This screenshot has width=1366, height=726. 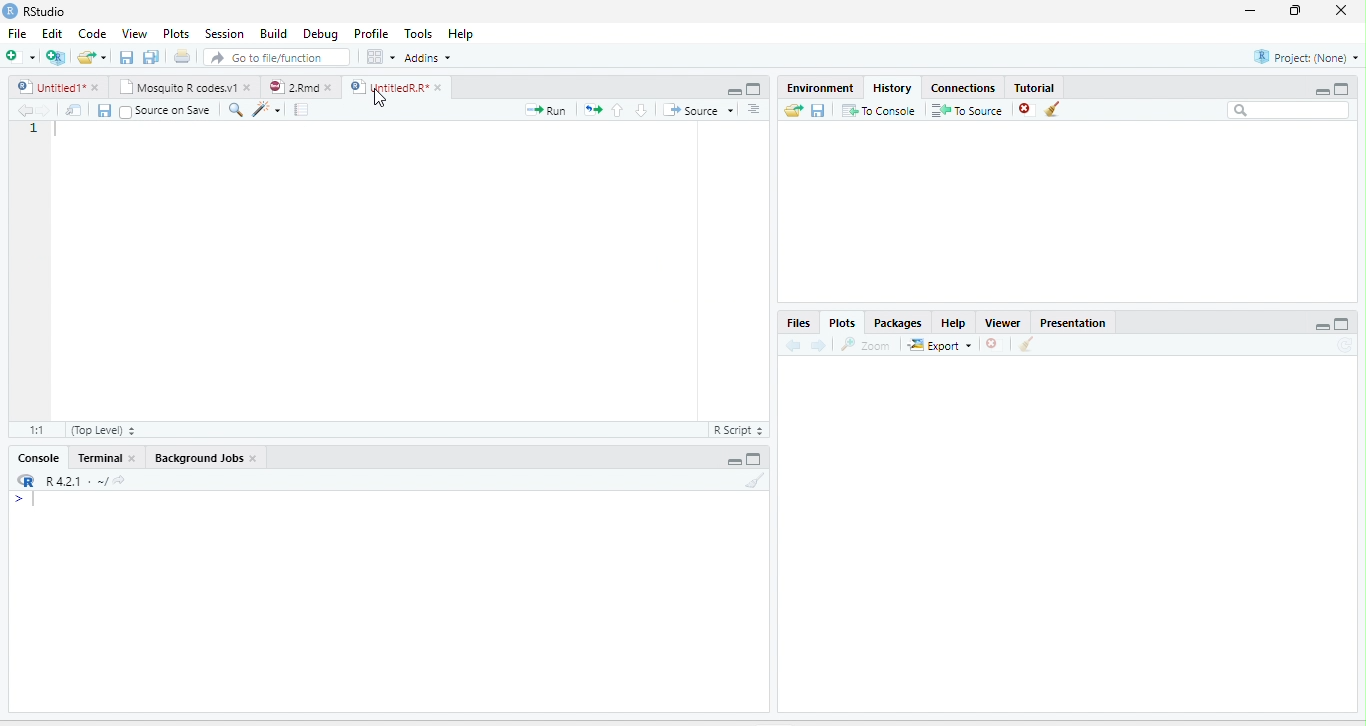 I want to click on Clear console, so click(x=756, y=480).